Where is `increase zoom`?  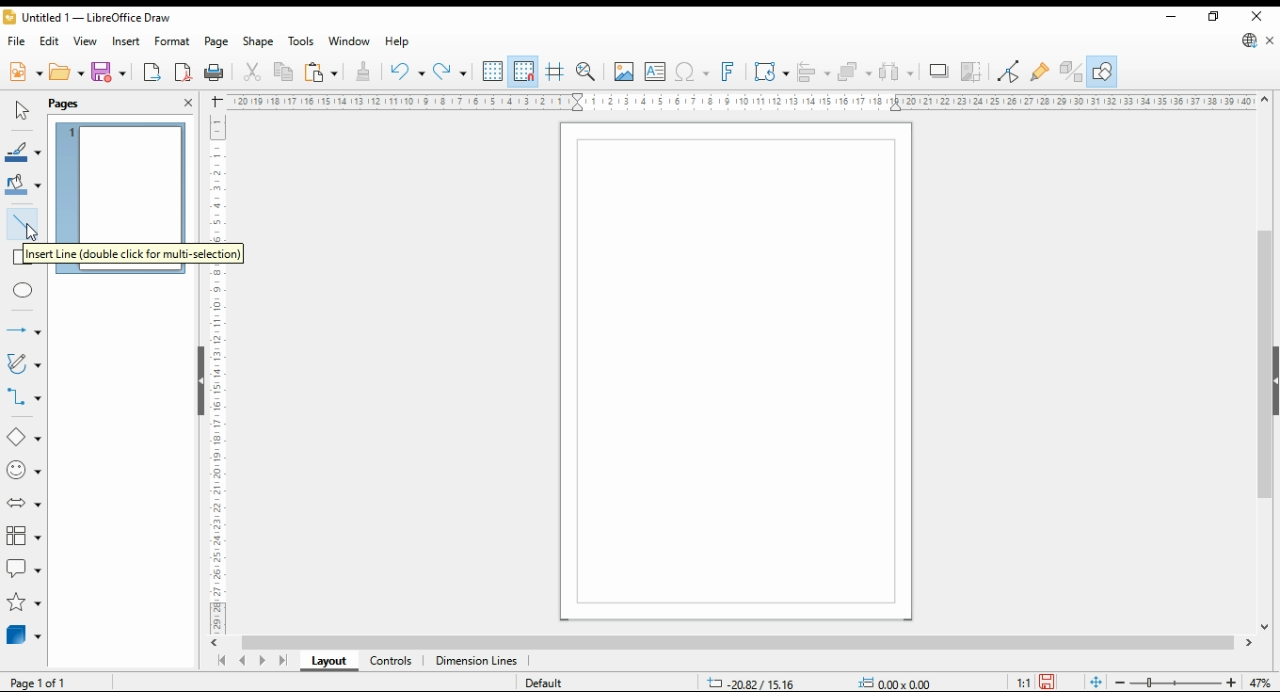
increase zoom is located at coordinates (1235, 683).